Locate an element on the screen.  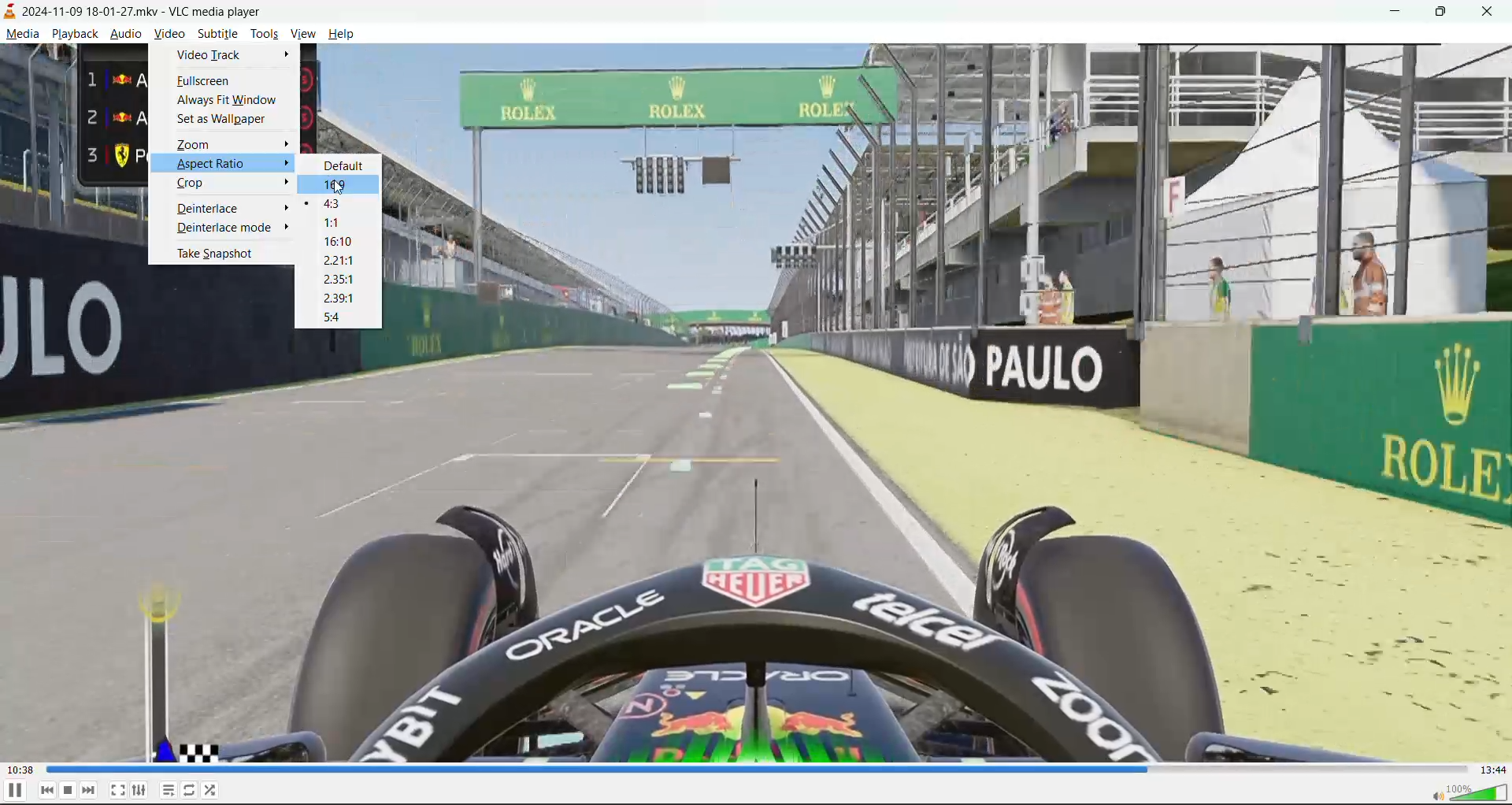
pause is located at coordinates (15, 792).